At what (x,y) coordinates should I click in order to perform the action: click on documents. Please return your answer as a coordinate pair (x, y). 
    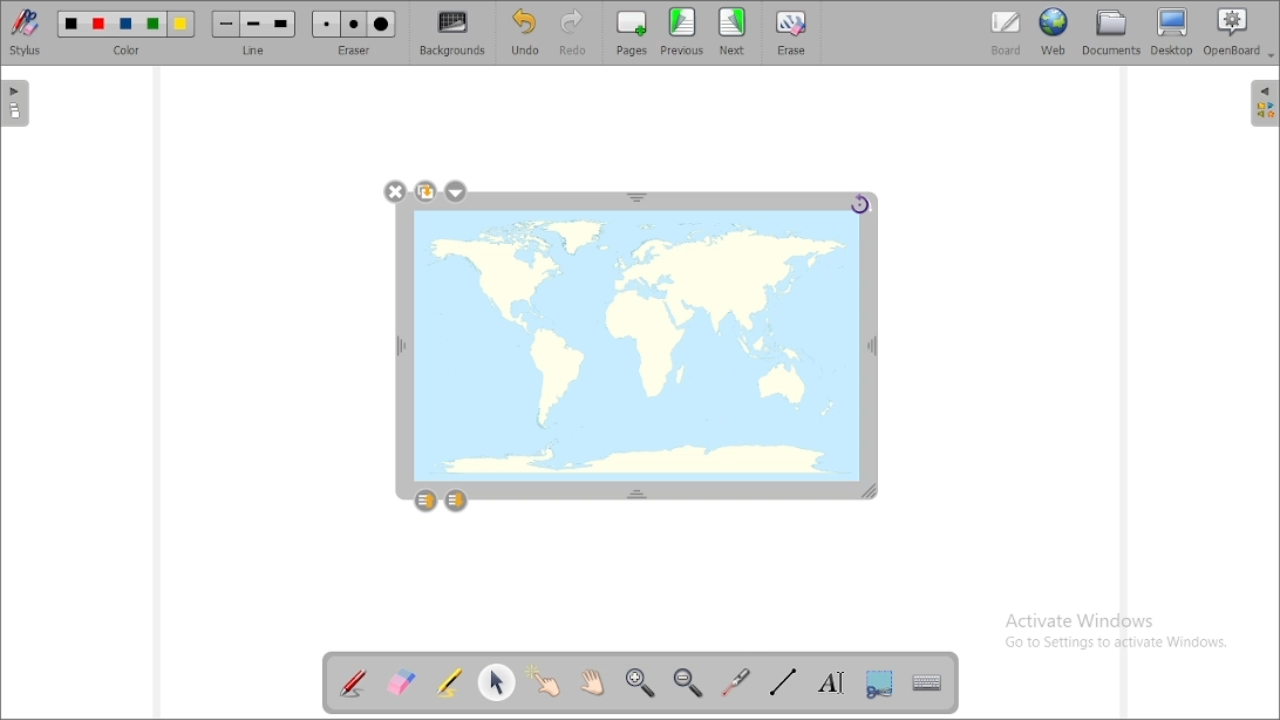
    Looking at the image, I should click on (1111, 33).